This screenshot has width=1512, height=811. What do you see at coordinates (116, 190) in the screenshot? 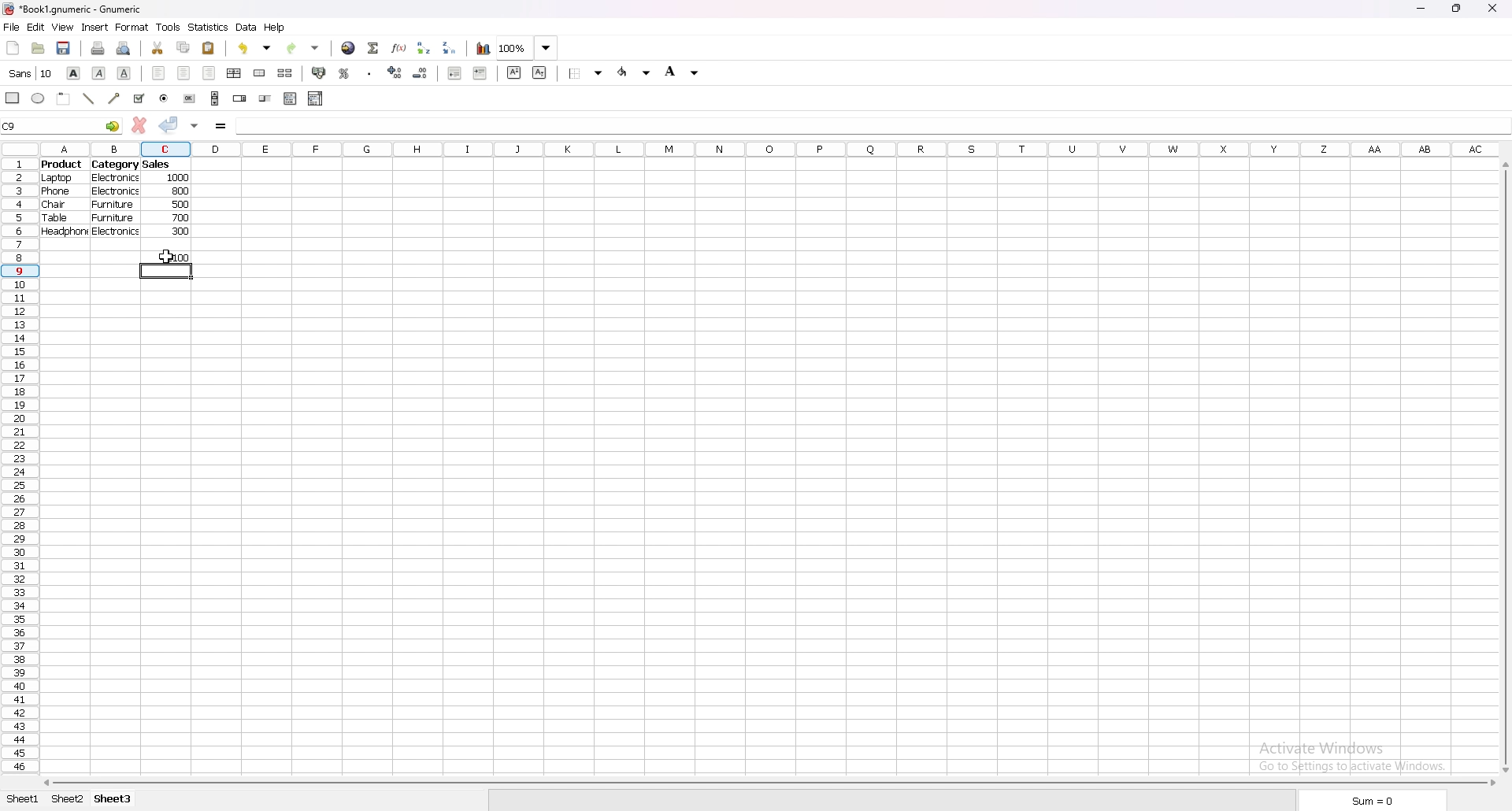
I see `electronics` at bounding box center [116, 190].